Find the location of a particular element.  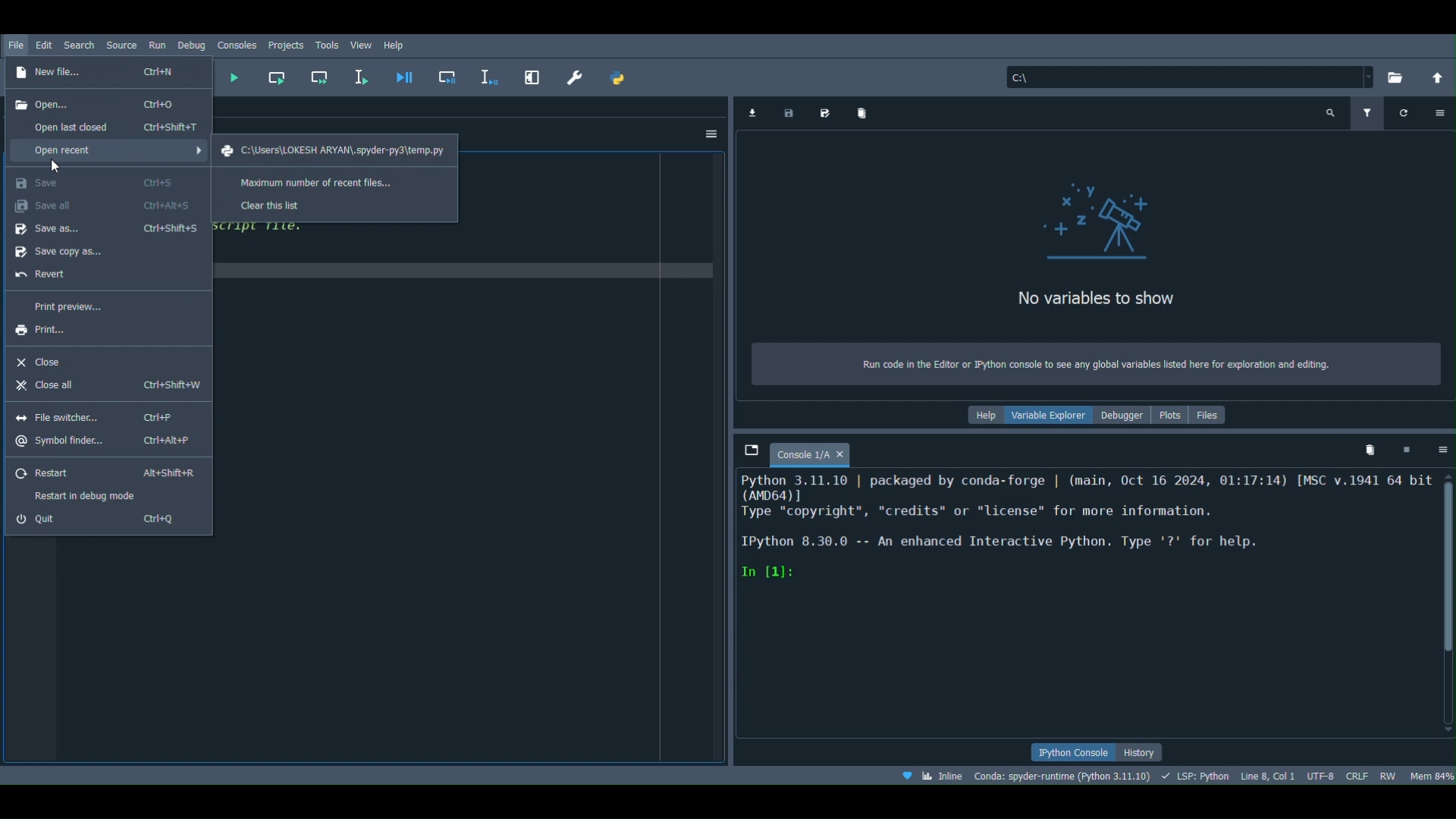

Interrupt kernel is located at coordinates (1403, 448).